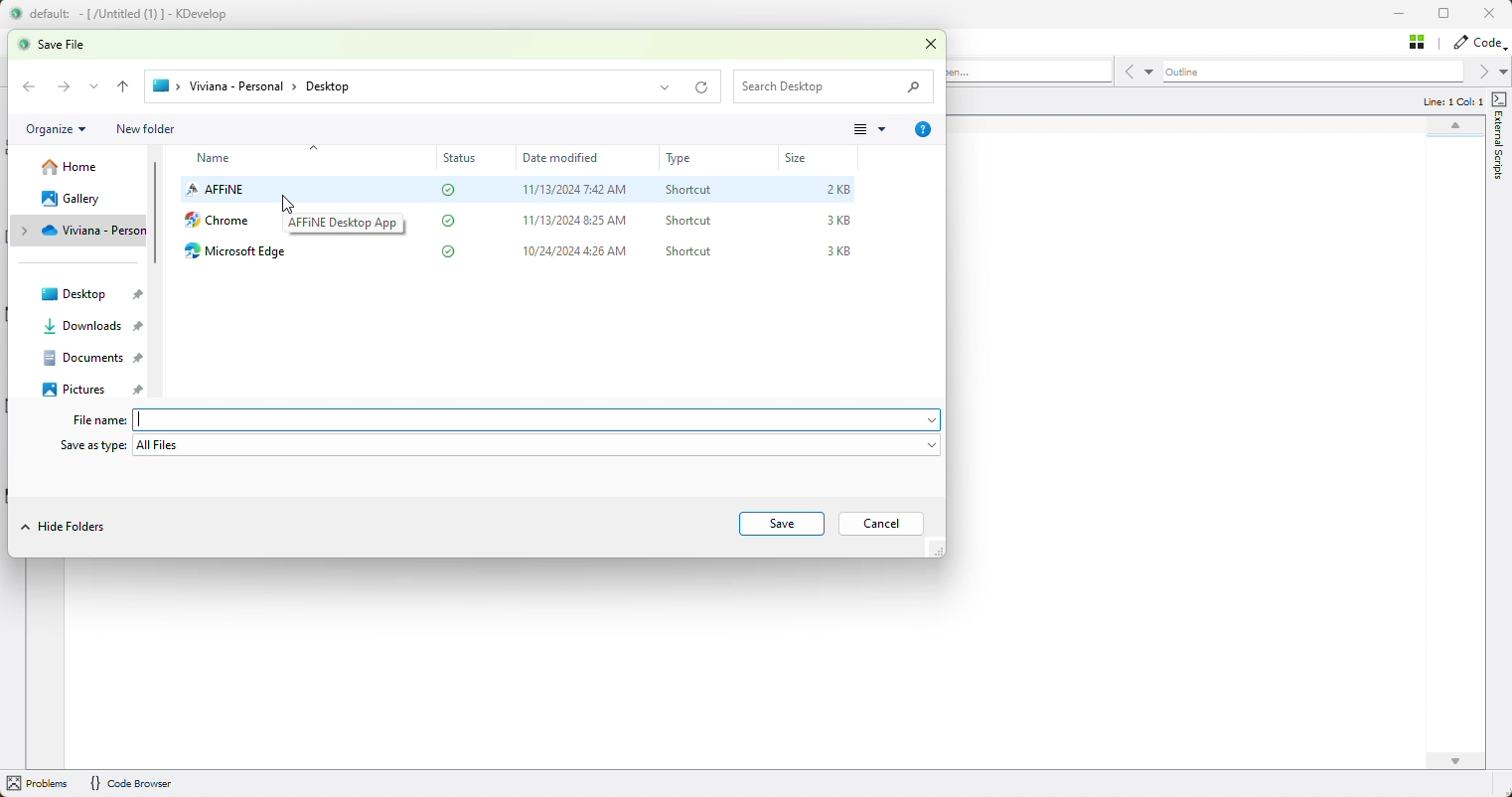 This screenshot has width=1512, height=797. I want to click on downloads, so click(96, 323).